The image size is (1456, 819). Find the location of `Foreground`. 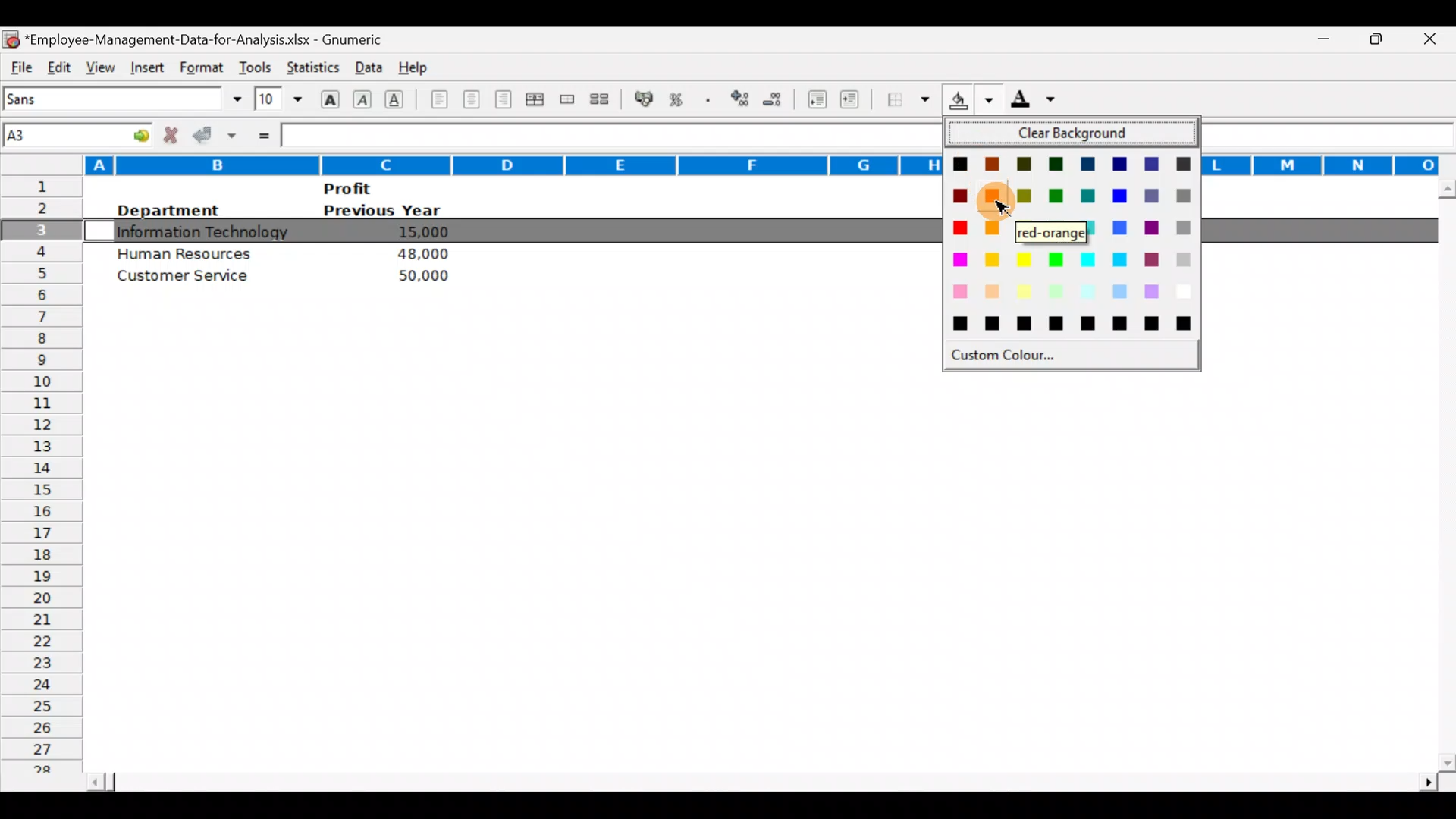

Foreground is located at coordinates (1038, 104).